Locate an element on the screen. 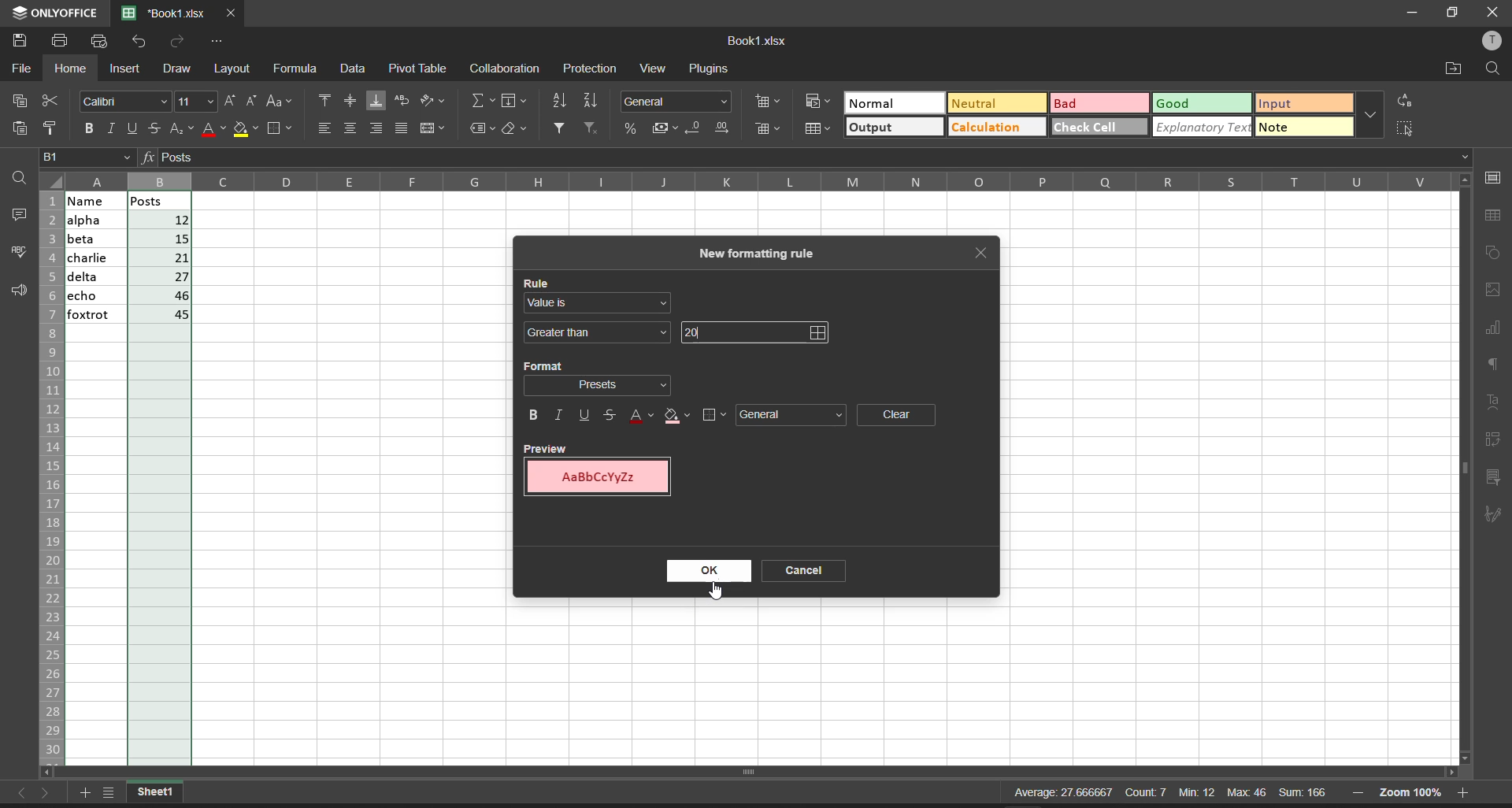 This screenshot has width=1512, height=808. note is located at coordinates (1278, 127).